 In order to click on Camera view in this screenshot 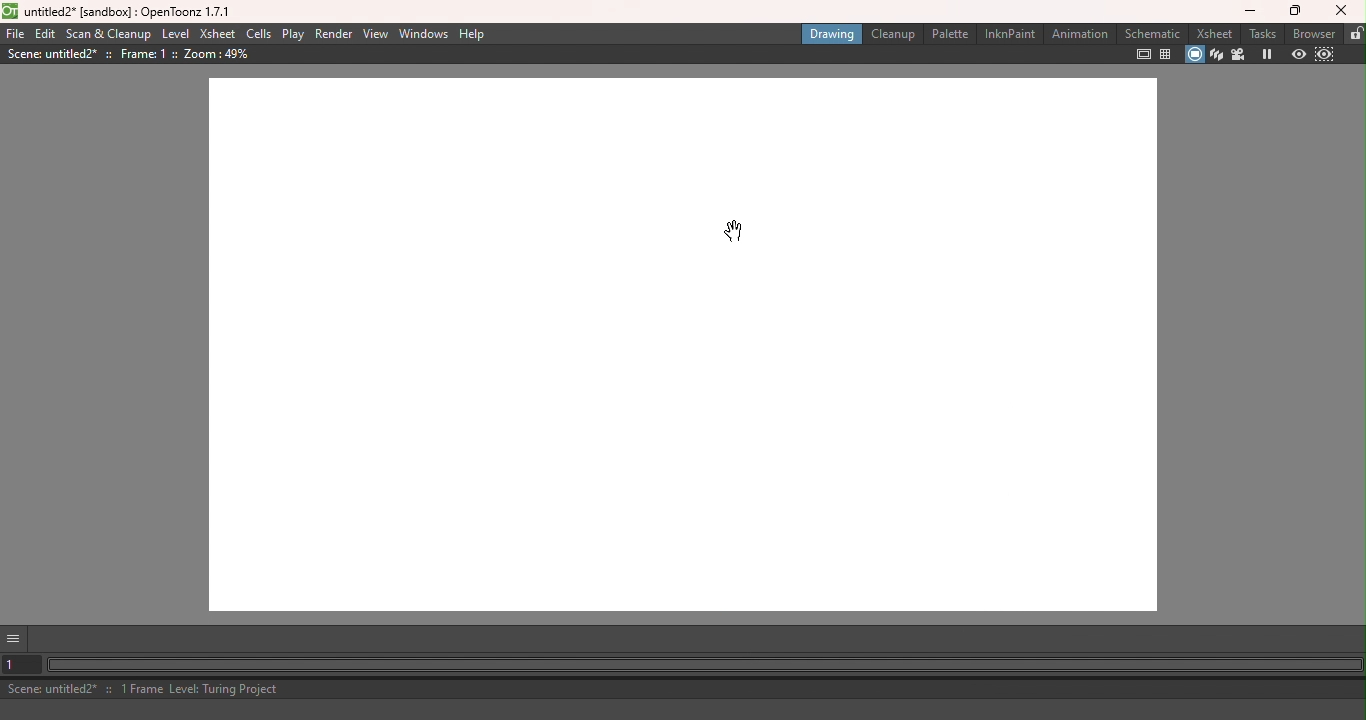, I will do `click(1241, 55)`.